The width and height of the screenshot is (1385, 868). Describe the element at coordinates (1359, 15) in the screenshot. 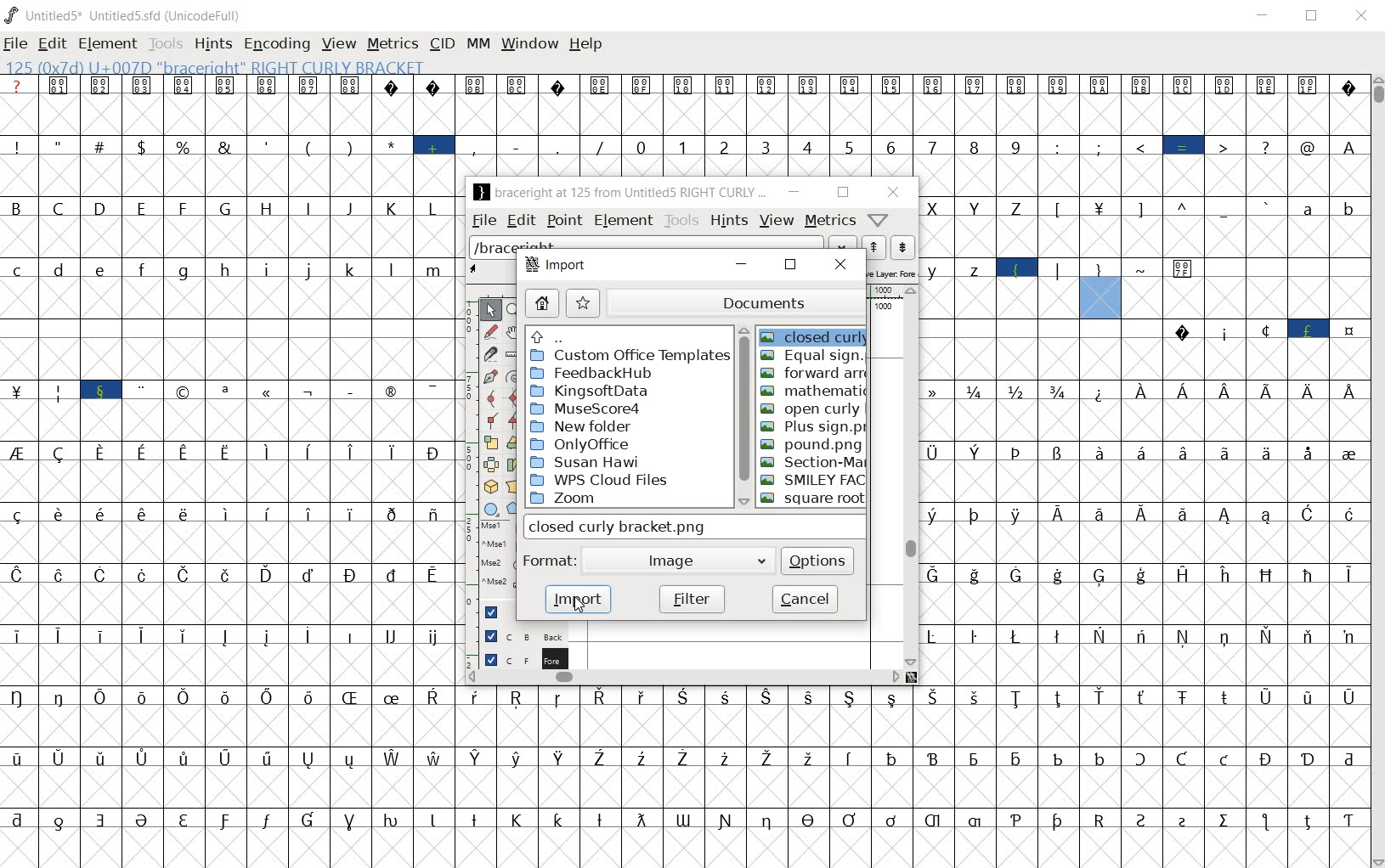

I see `CLOSE` at that location.